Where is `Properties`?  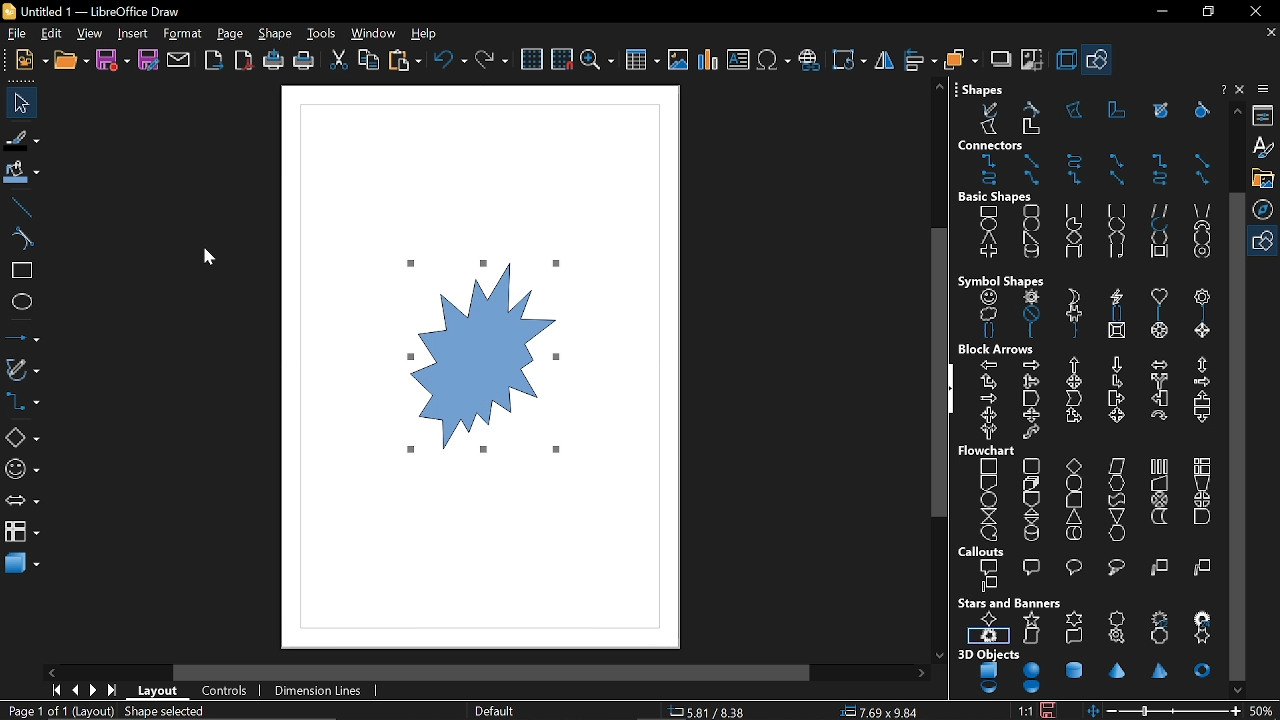
Properties is located at coordinates (1265, 114).